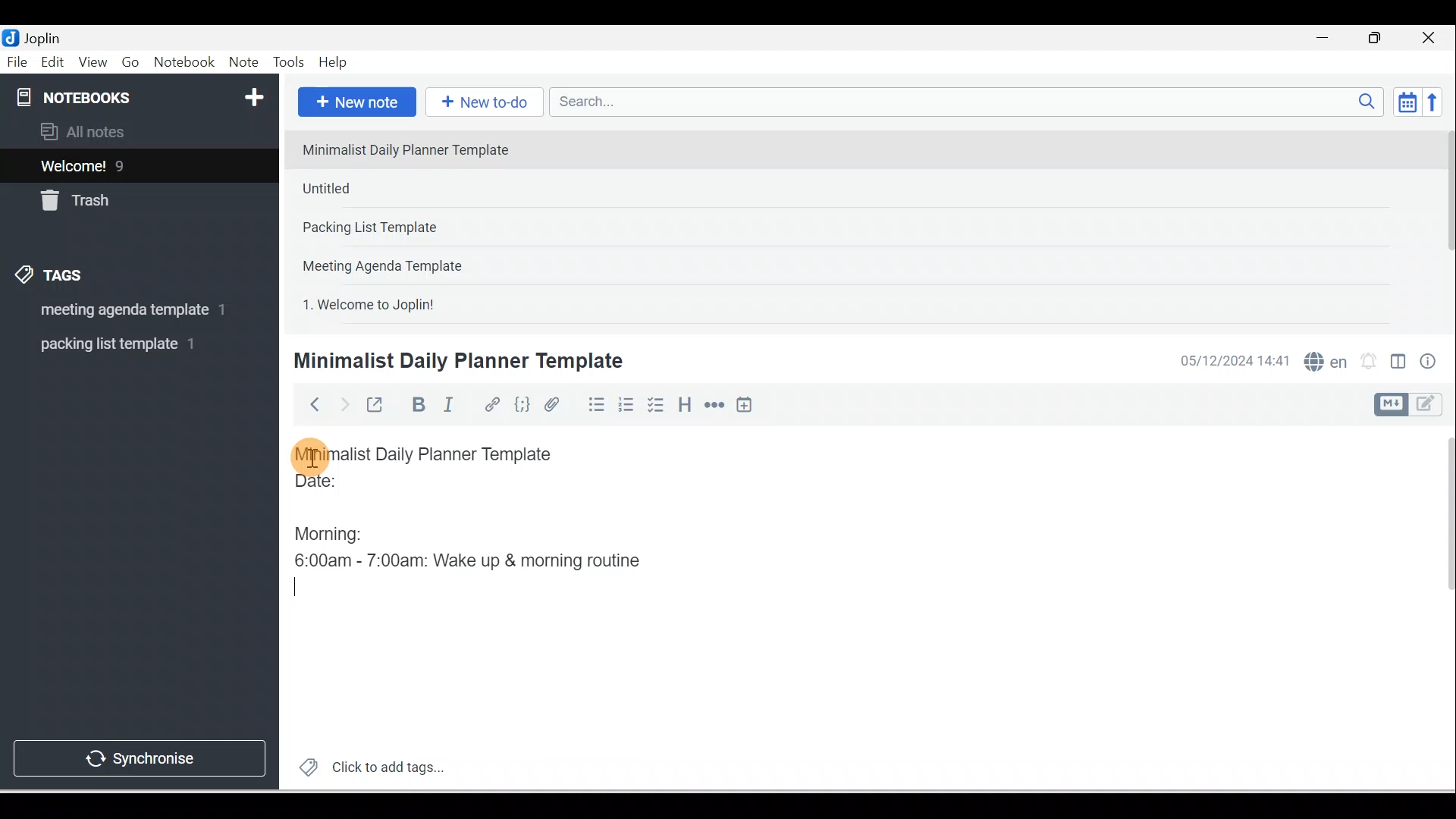  What do you see at coordinates (626, 404) in the screenshot?
I see `Numbered list` at bounding box center [626, 404].